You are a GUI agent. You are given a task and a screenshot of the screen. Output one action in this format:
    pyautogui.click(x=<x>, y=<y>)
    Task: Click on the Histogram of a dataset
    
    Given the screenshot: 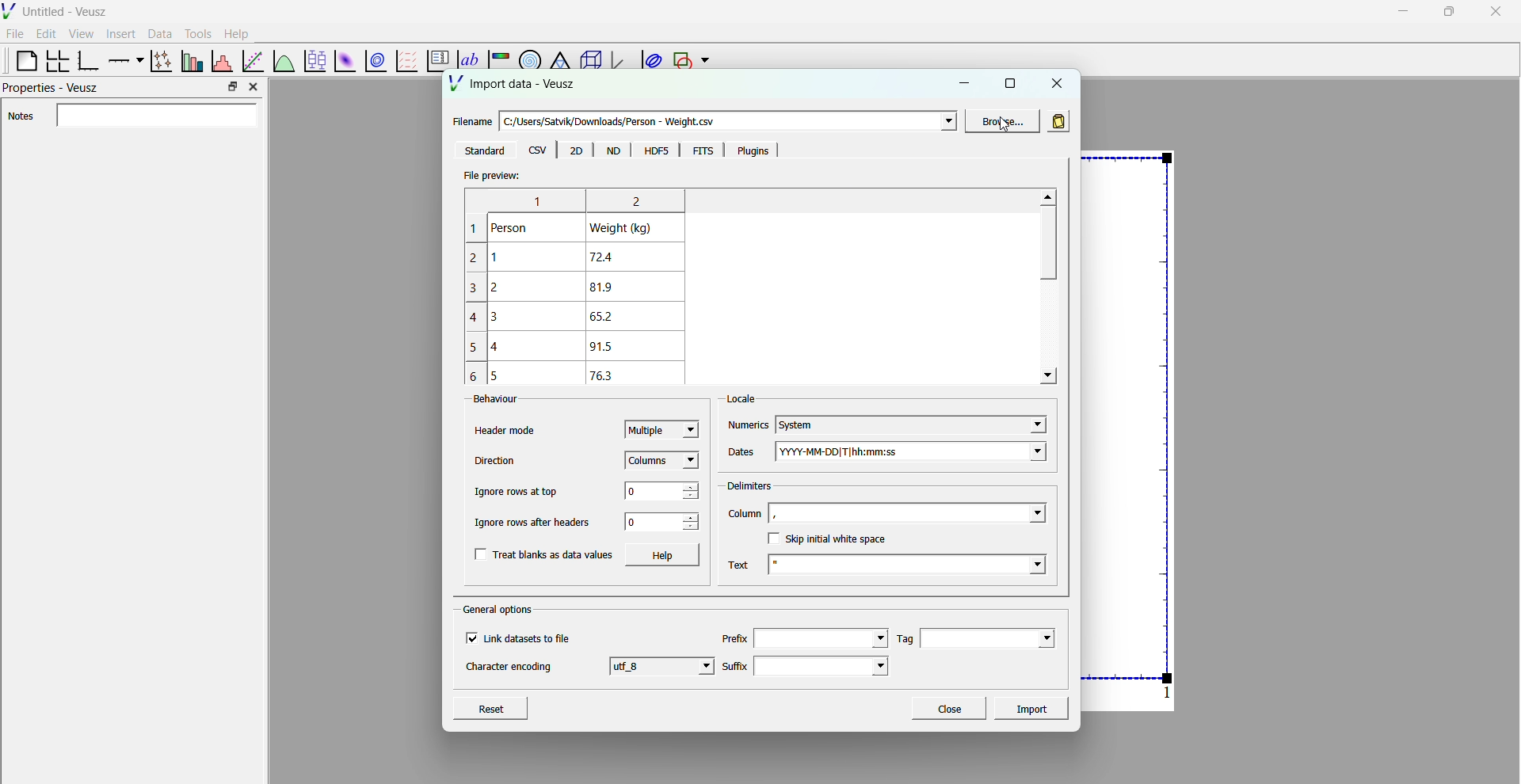 What is the action you would take?
    pyautogui.click(x=221, y=59)
    